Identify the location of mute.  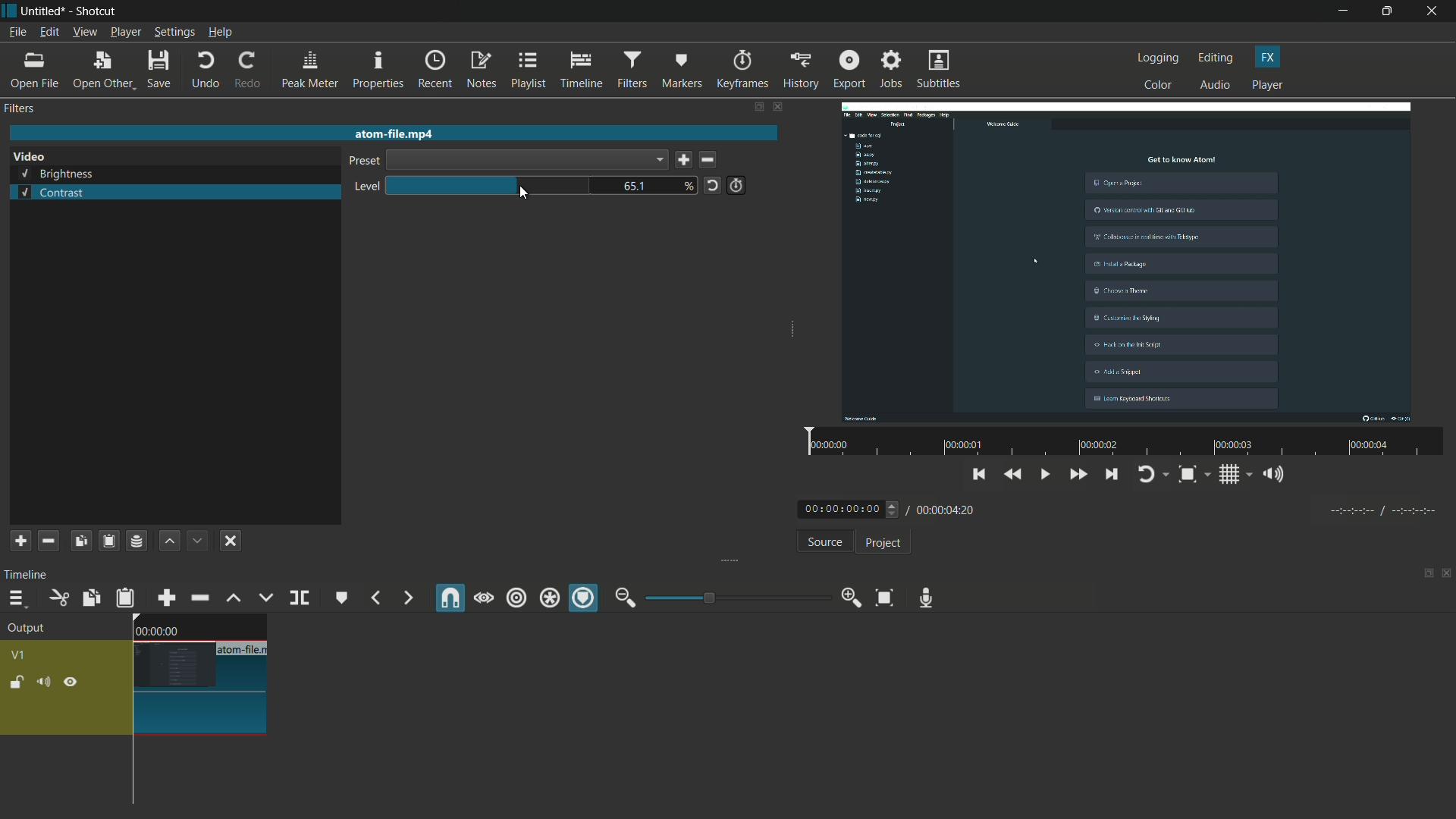
(46, 682).